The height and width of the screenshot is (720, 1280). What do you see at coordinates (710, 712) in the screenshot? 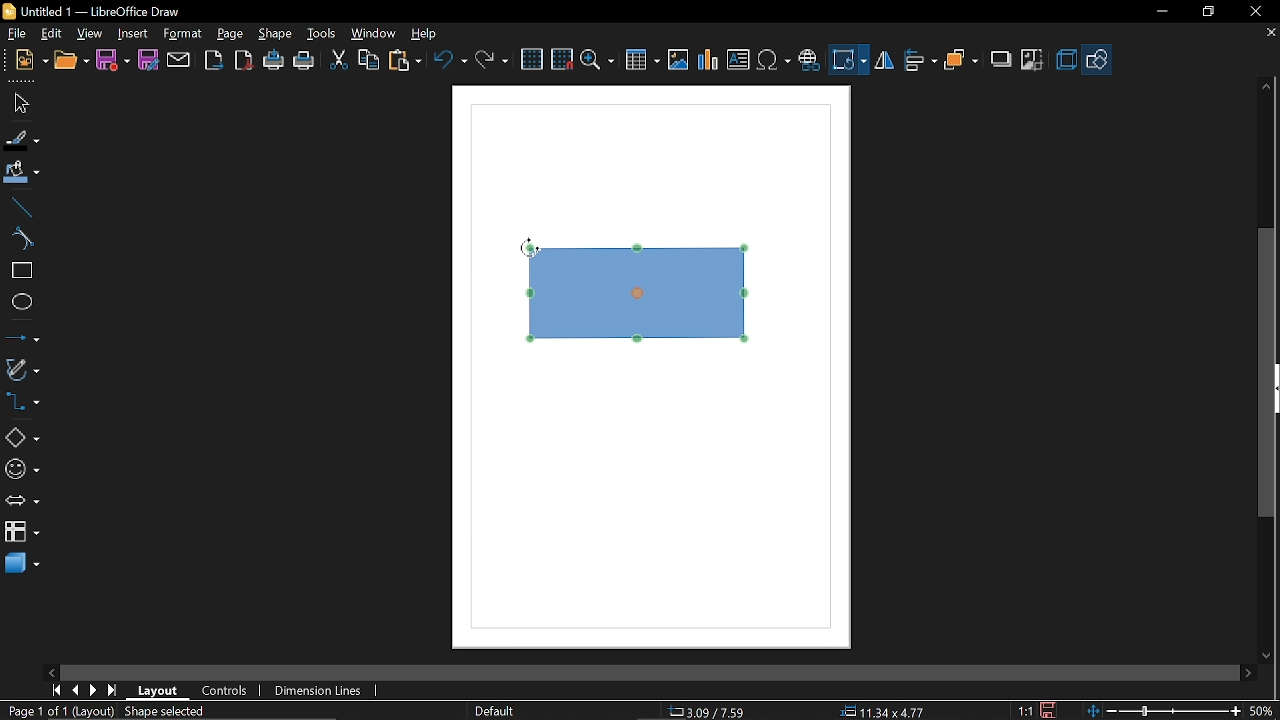
I see `5.92/10.43` at bounding box center [710, 712].